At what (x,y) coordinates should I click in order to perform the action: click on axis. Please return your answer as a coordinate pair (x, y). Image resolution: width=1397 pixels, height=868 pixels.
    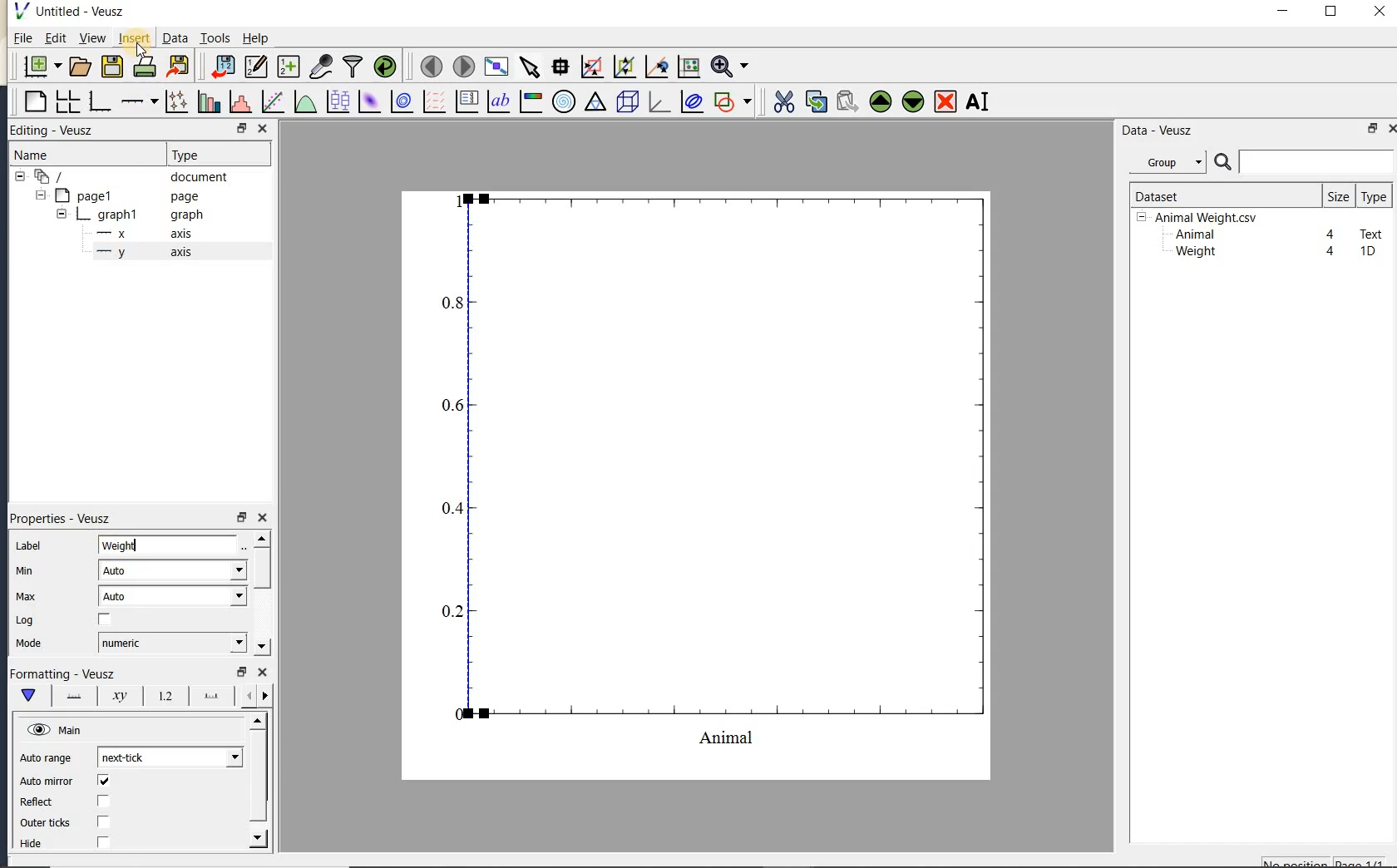
    Looking at the image, I should click on (141, 253).